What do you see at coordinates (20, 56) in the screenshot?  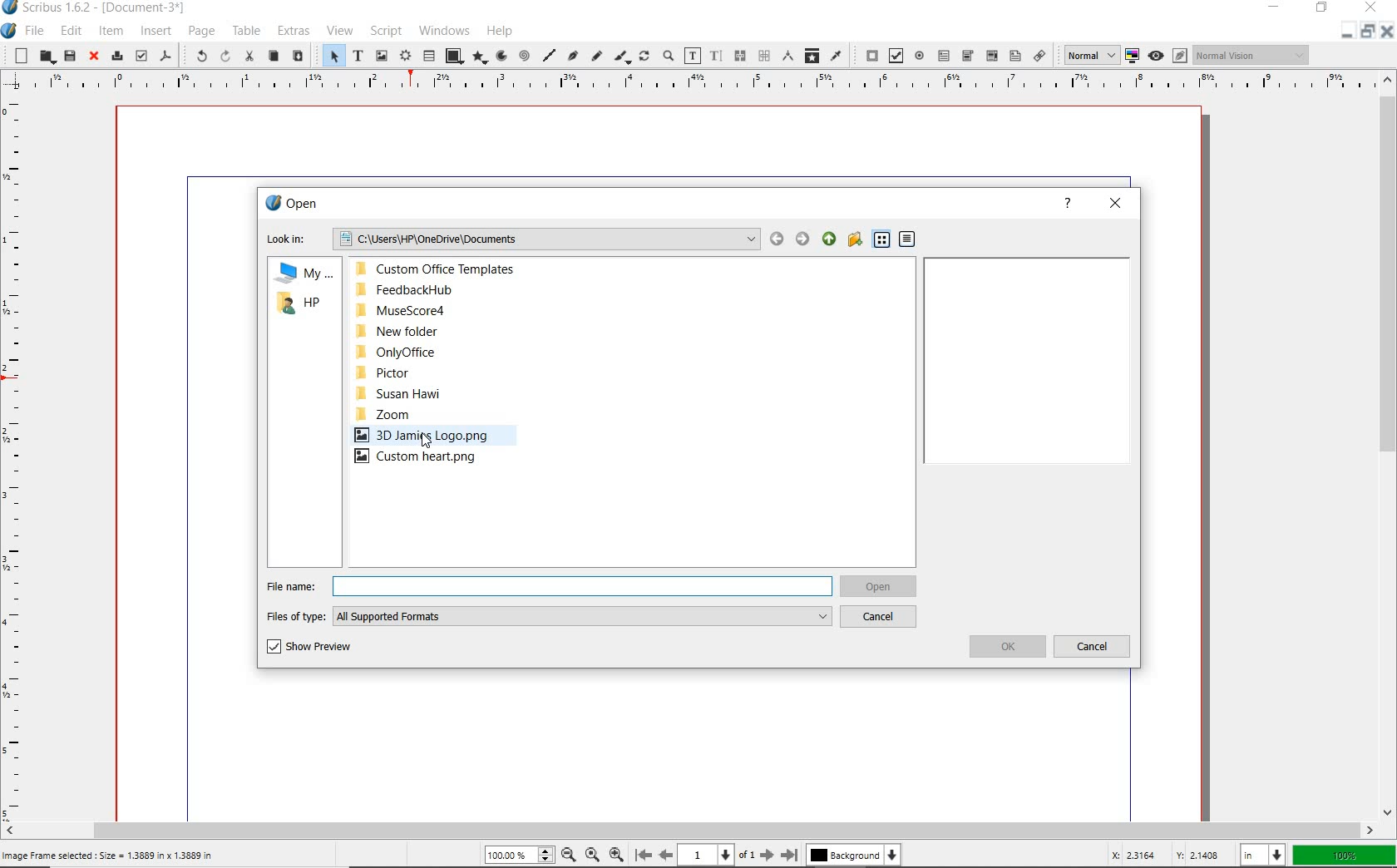 I see `new` at bounding box center [20, 56].